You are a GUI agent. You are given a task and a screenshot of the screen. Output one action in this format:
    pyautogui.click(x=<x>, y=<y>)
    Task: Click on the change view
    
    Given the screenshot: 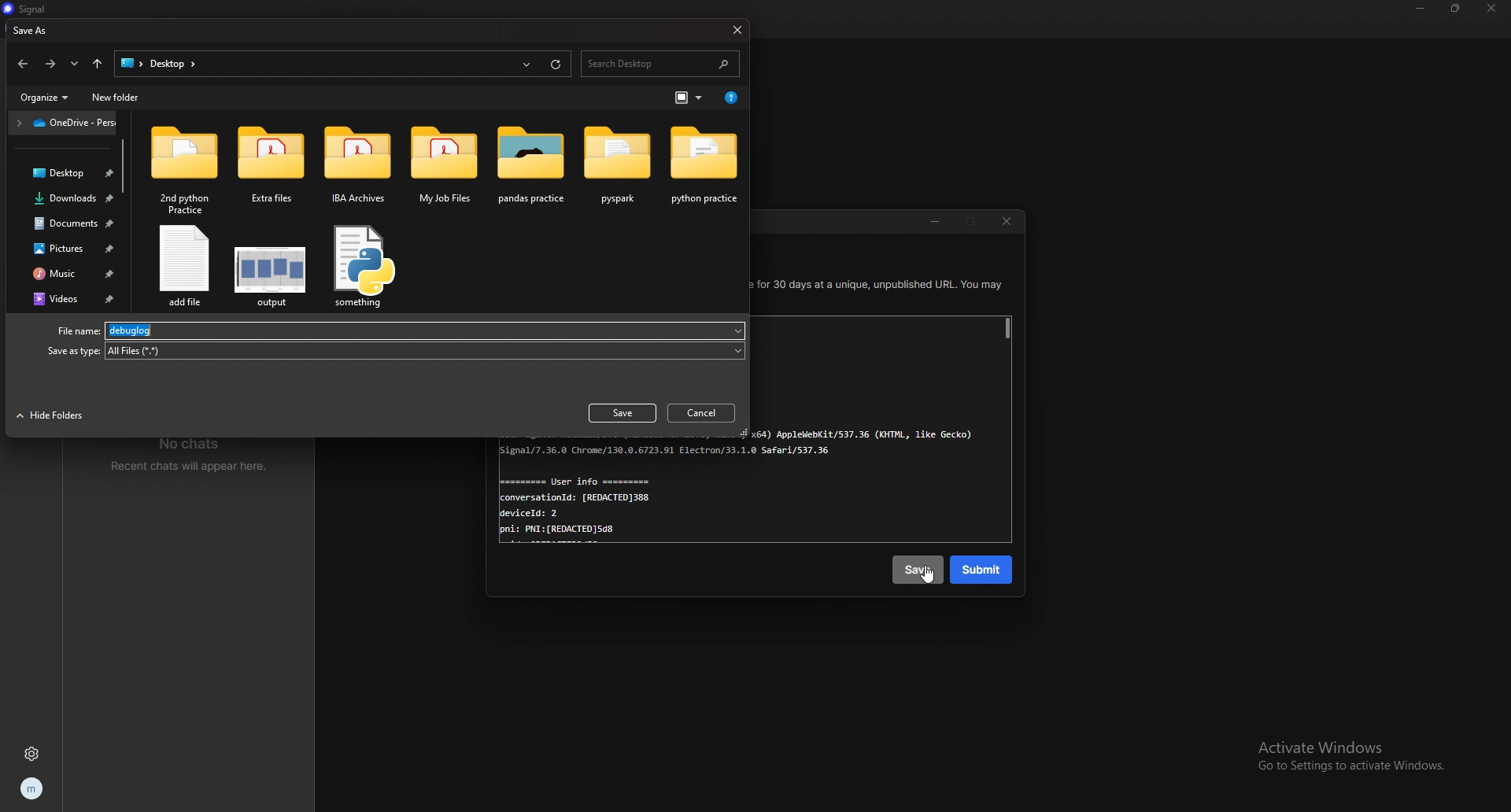 What is the action you would take?
    pyautogui.click(x=689, y=98)
    